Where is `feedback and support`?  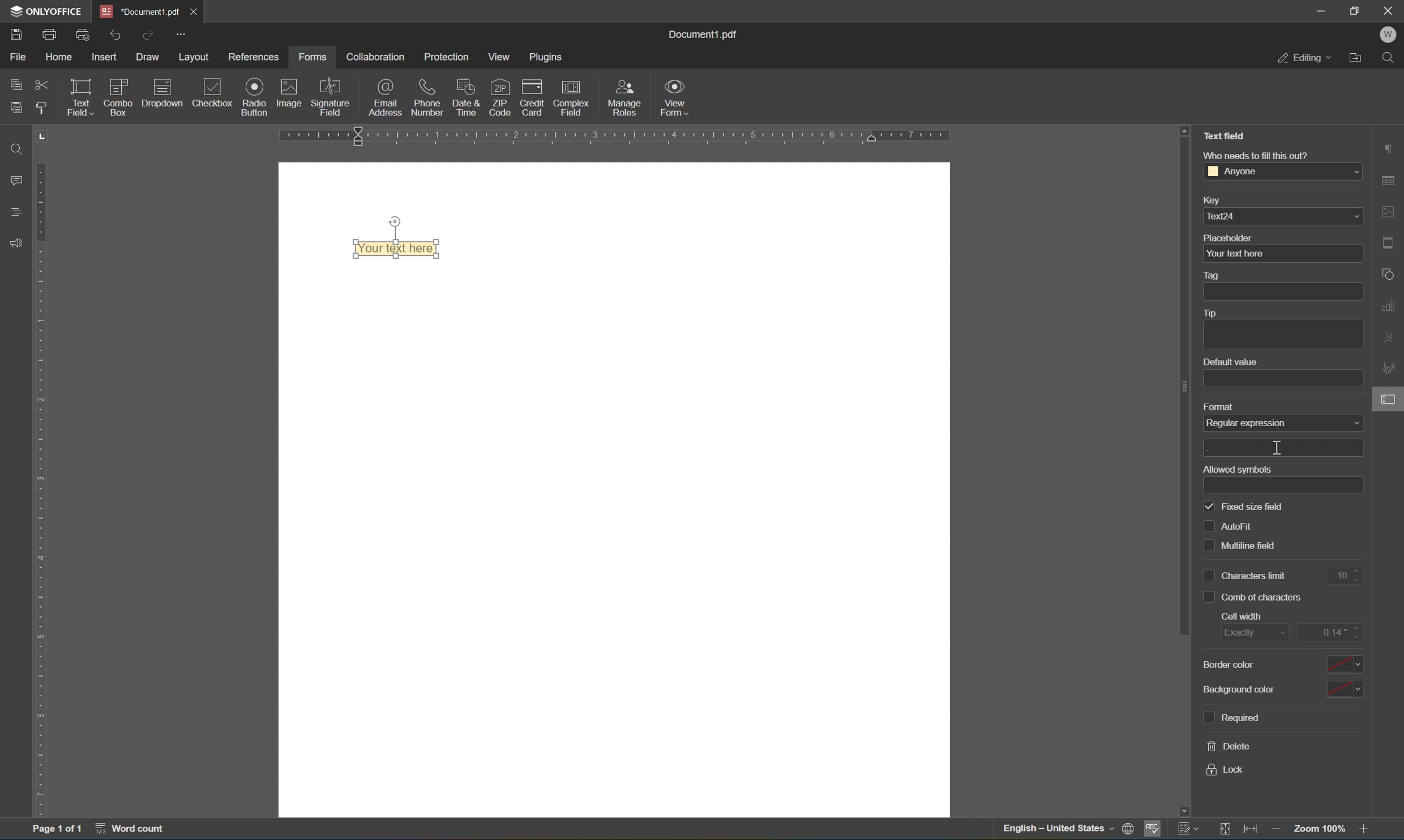 feedback and support is located at coordinates (16, 244).